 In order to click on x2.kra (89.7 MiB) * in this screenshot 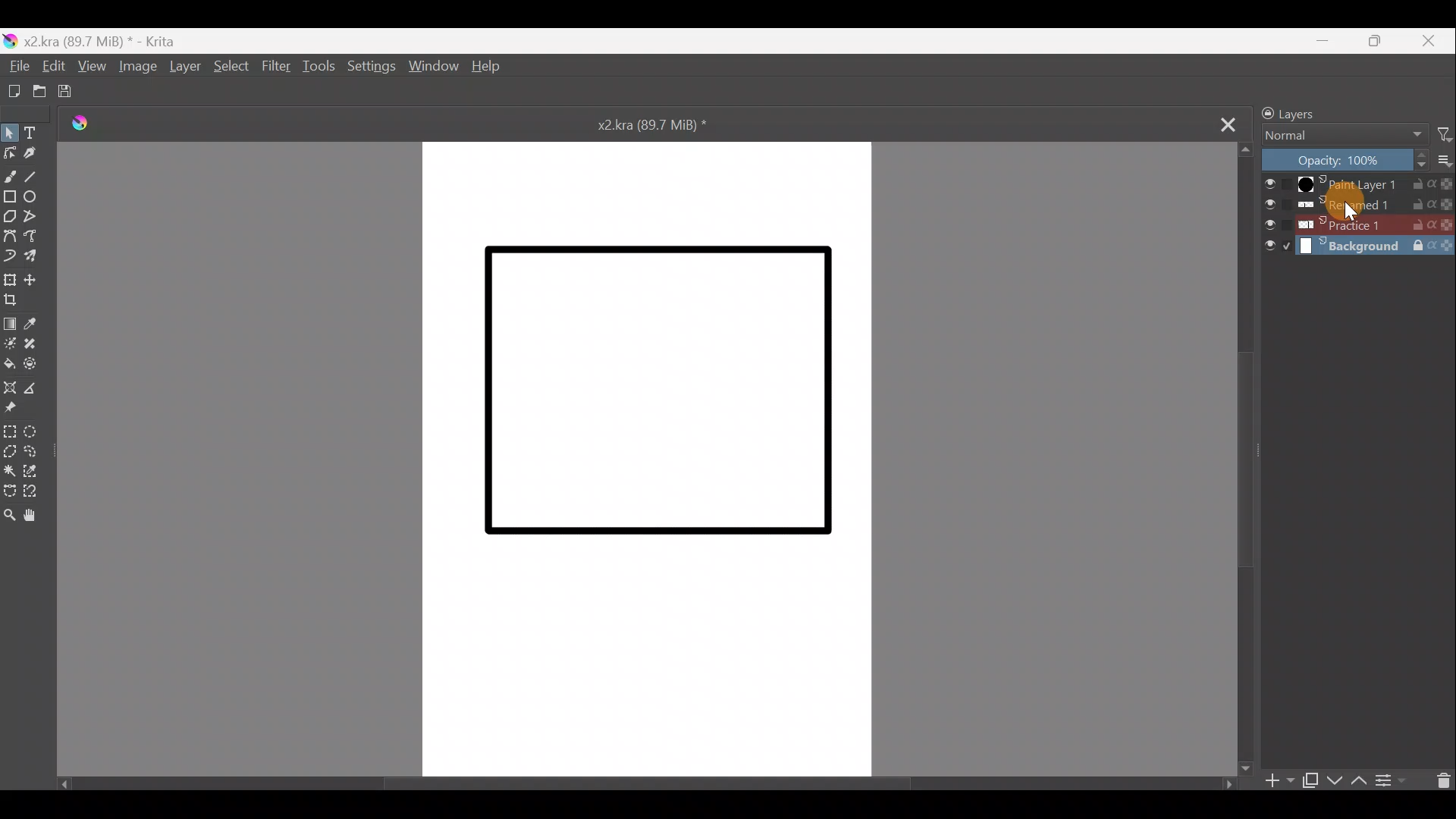, I will do `click(656, 124)`.